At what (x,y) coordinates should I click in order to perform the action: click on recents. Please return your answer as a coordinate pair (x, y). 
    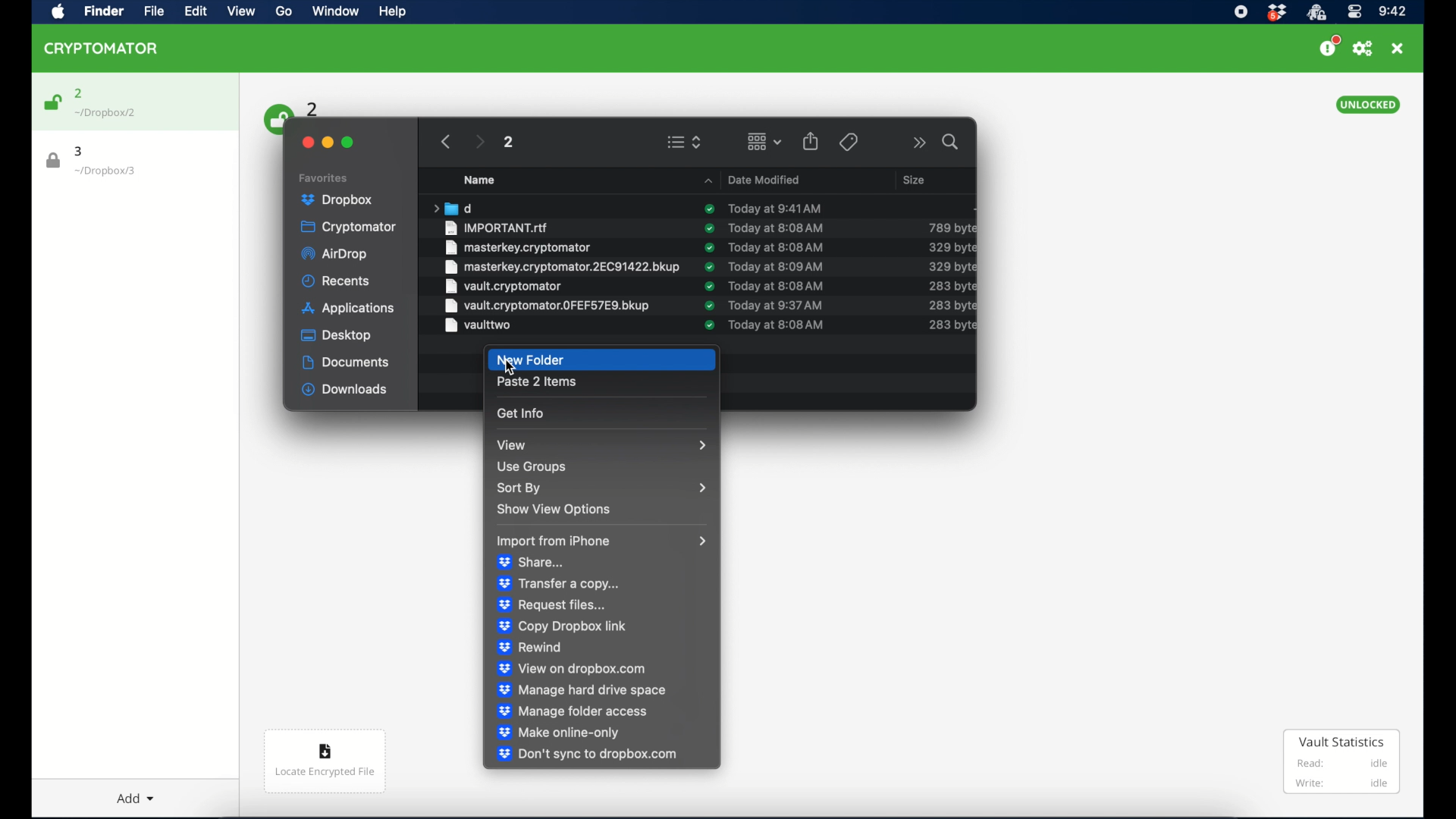
    Looking at the image, I should click on (337, 281).